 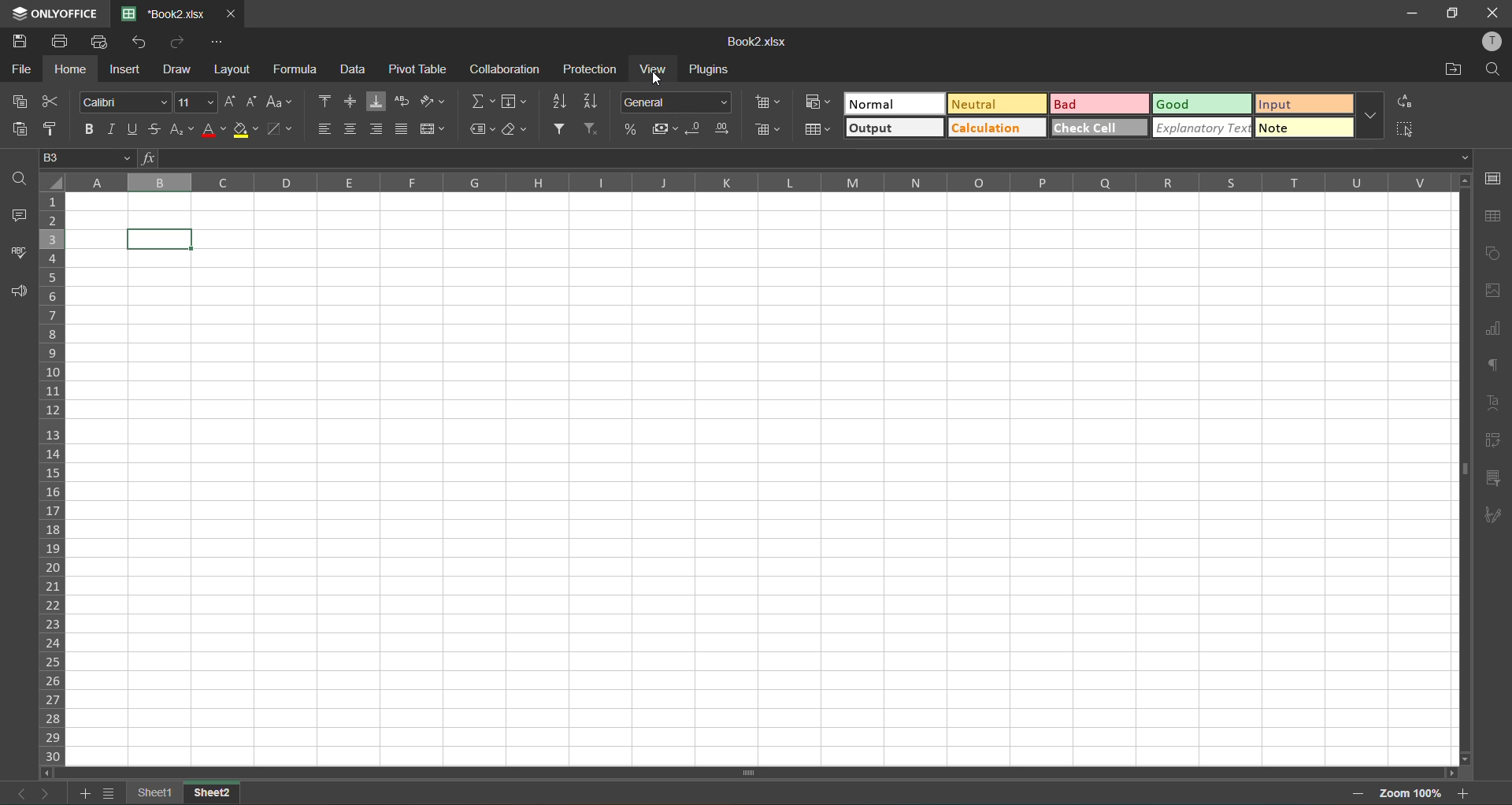 I want to click on fillcolor, so click(x=248, y=130).